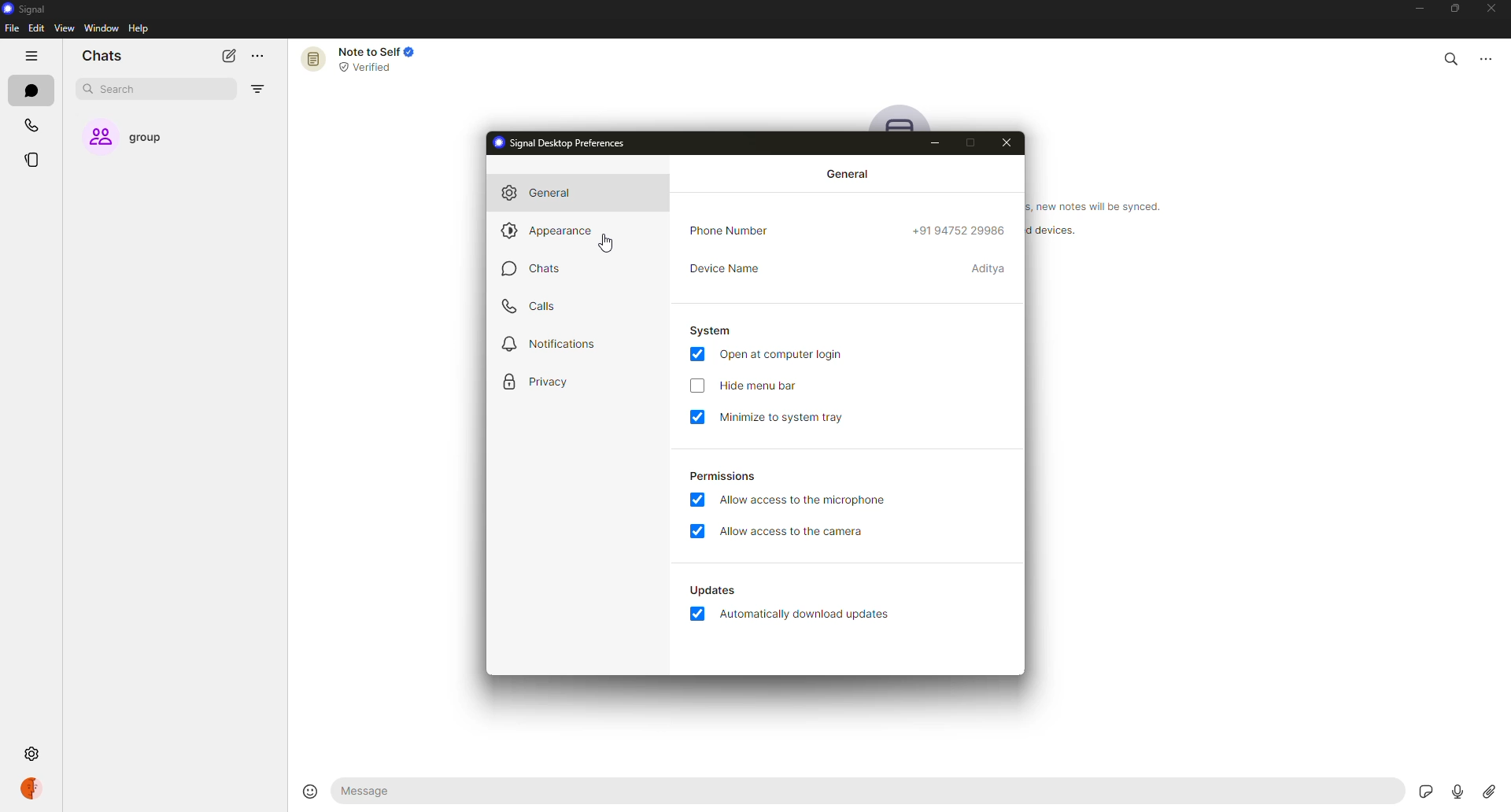 Image resolution: width=1511 pixels, height=812 pixels. I want to click on chats, so click(534, 268).